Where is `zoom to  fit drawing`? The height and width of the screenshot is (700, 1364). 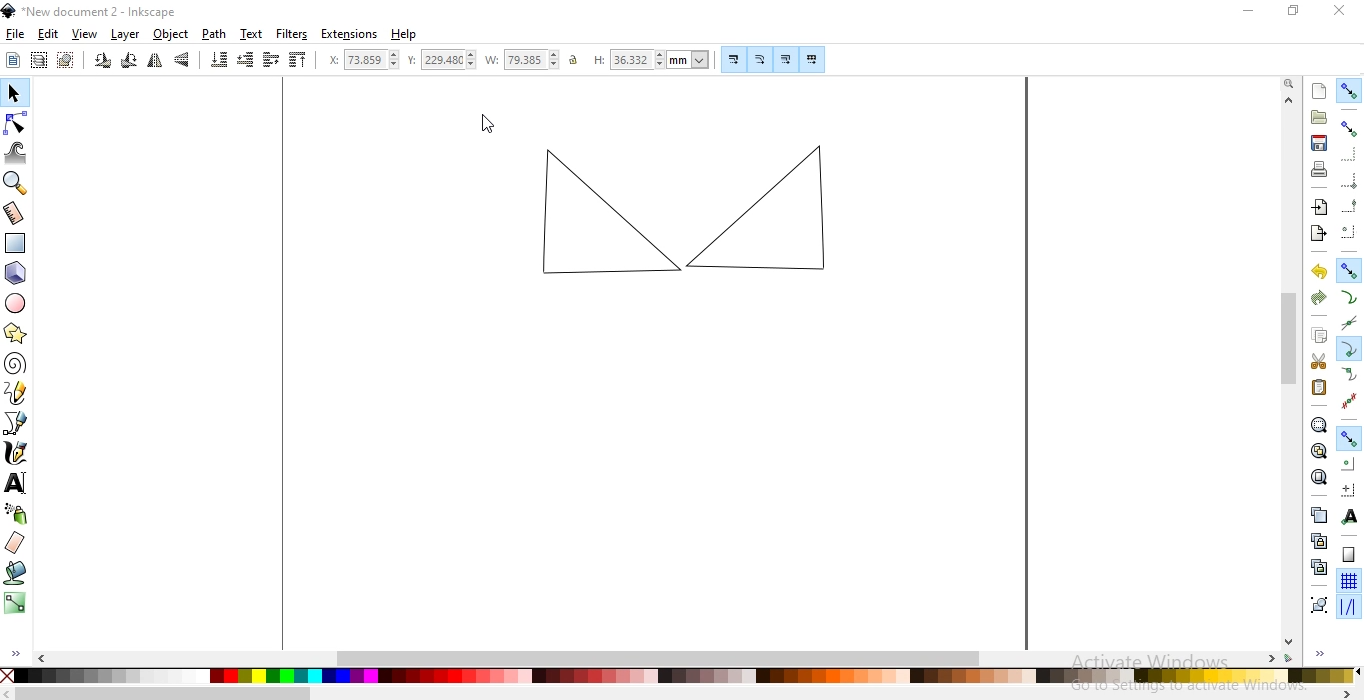
zoom to  fit drawing is located at coordinates (1316, 452).